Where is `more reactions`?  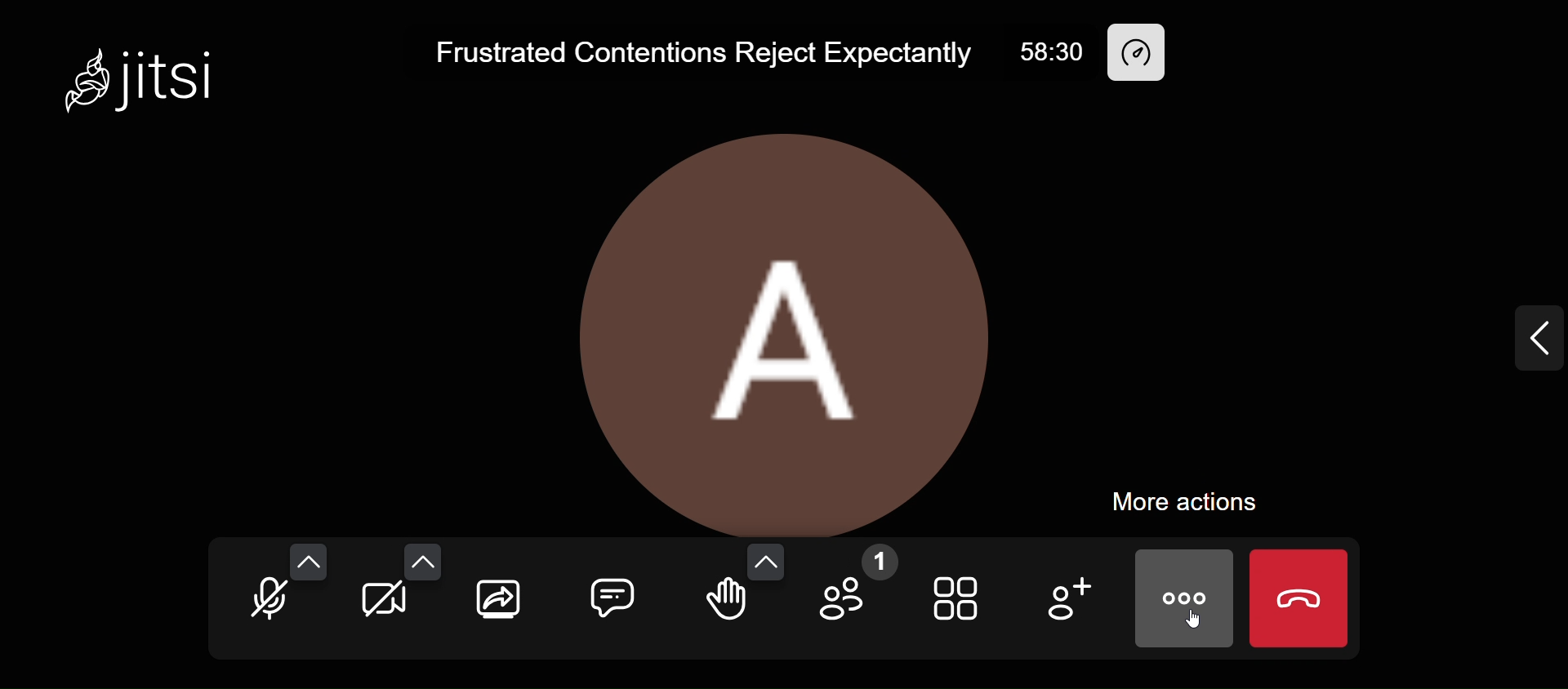
more reactions is located at coordinates (765, 562).